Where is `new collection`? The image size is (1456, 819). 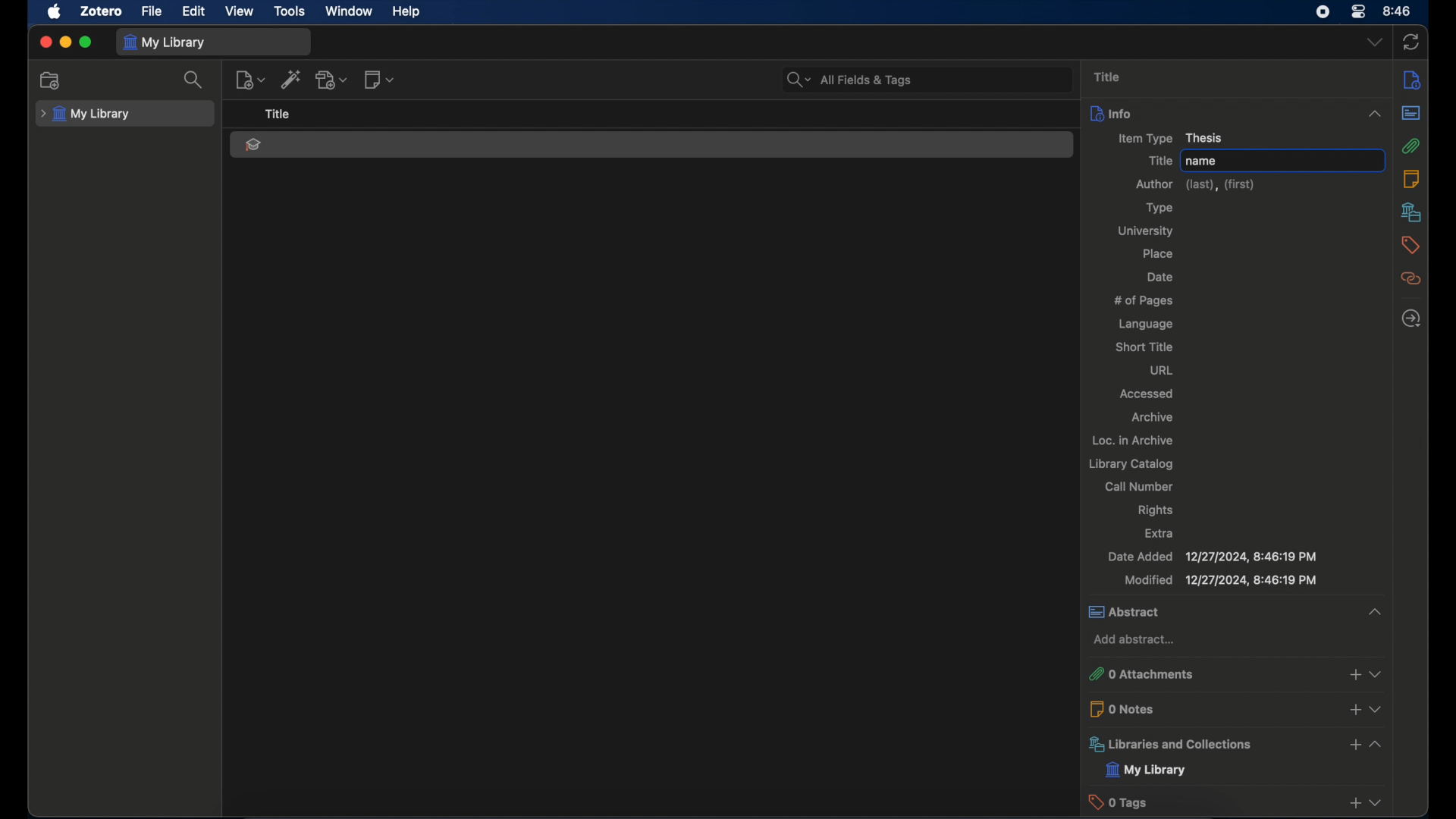 new collection is located at coordinates (52, 80).